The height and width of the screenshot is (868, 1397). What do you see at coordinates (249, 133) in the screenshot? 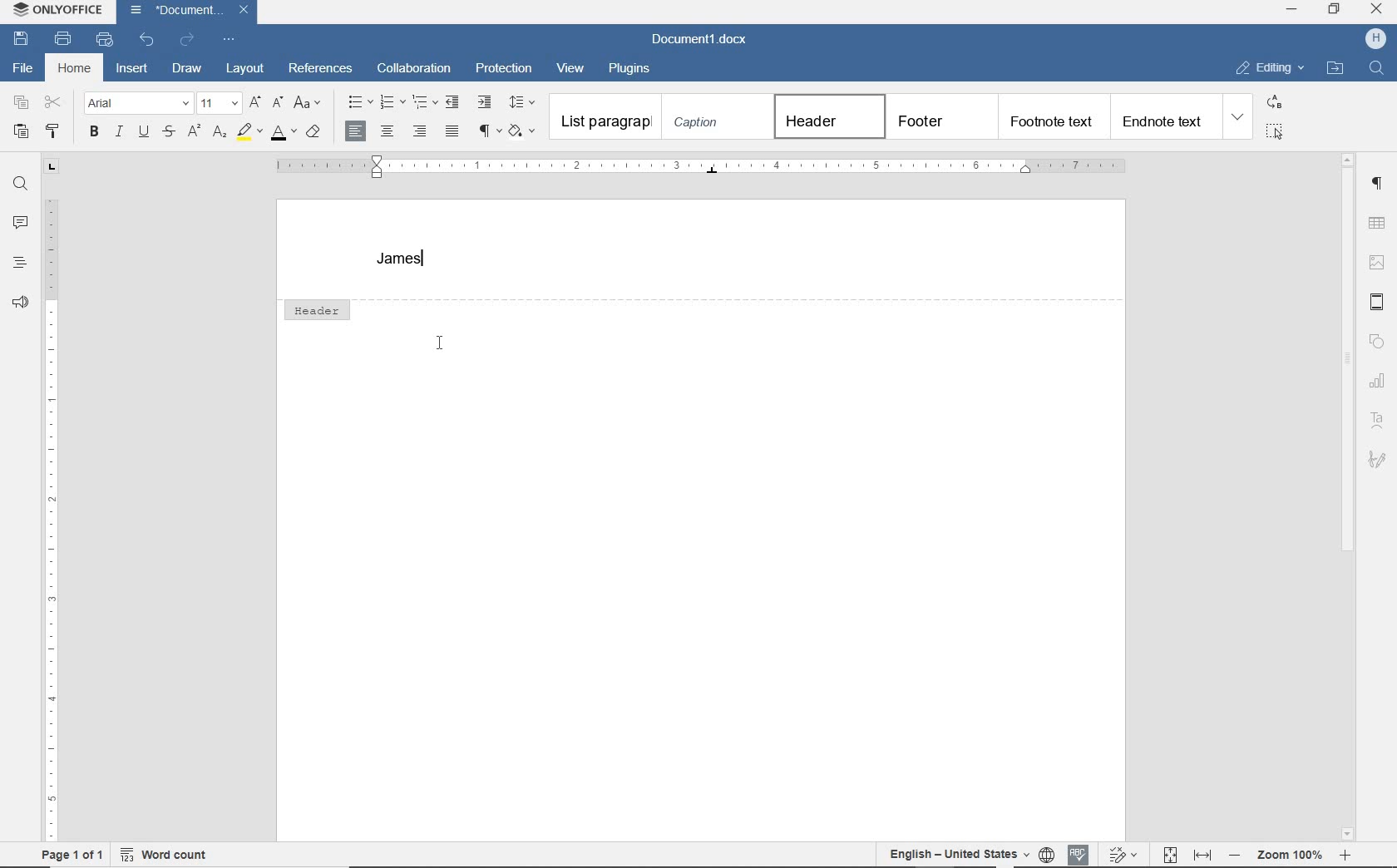
I see `highlight color` at bounding box center [249, 133].